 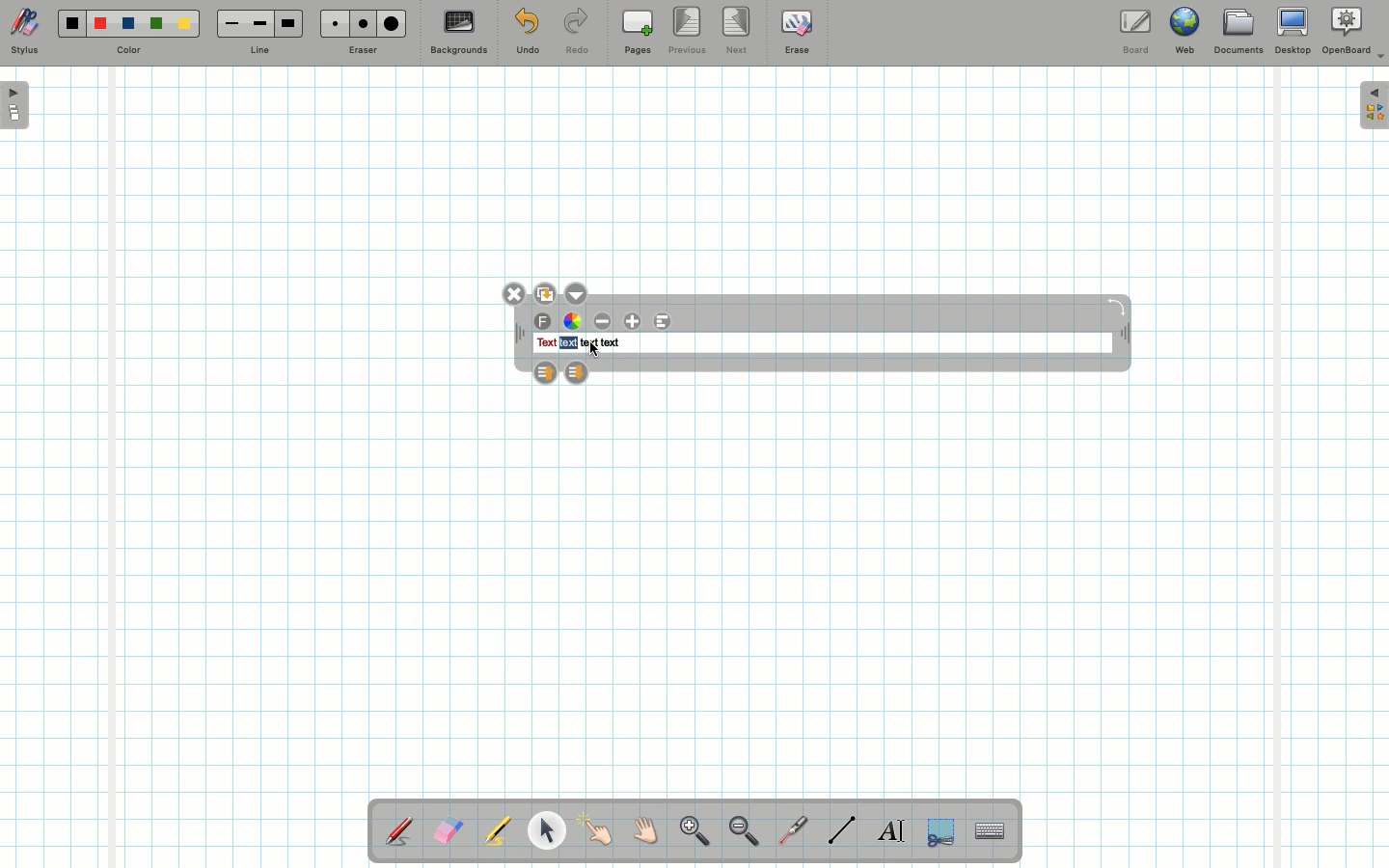 I want to click on Zoom in, so click(x=690, y=833).